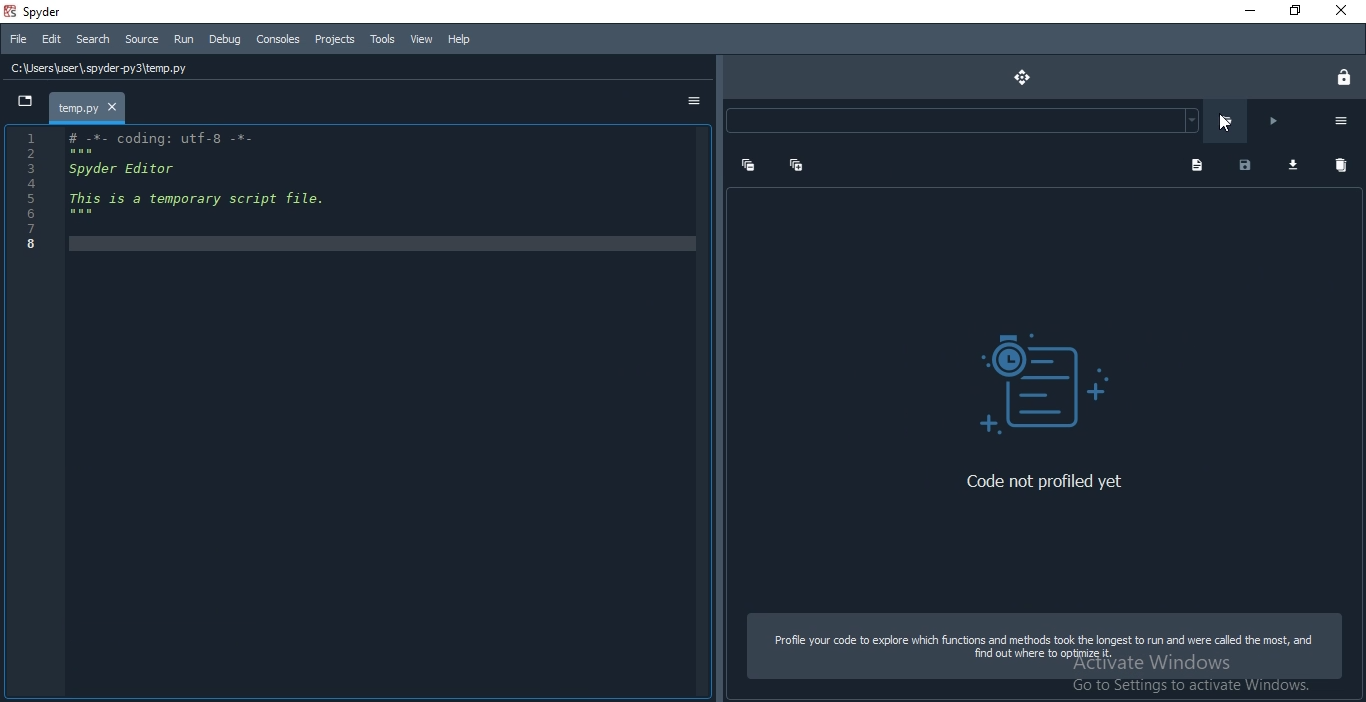 Image resolution: width=1366 pixels, height=702 pixels. What do you see at coordinates (1343, 11) in the screenshot?
I see `Close` at bounding box center [1343, 11].